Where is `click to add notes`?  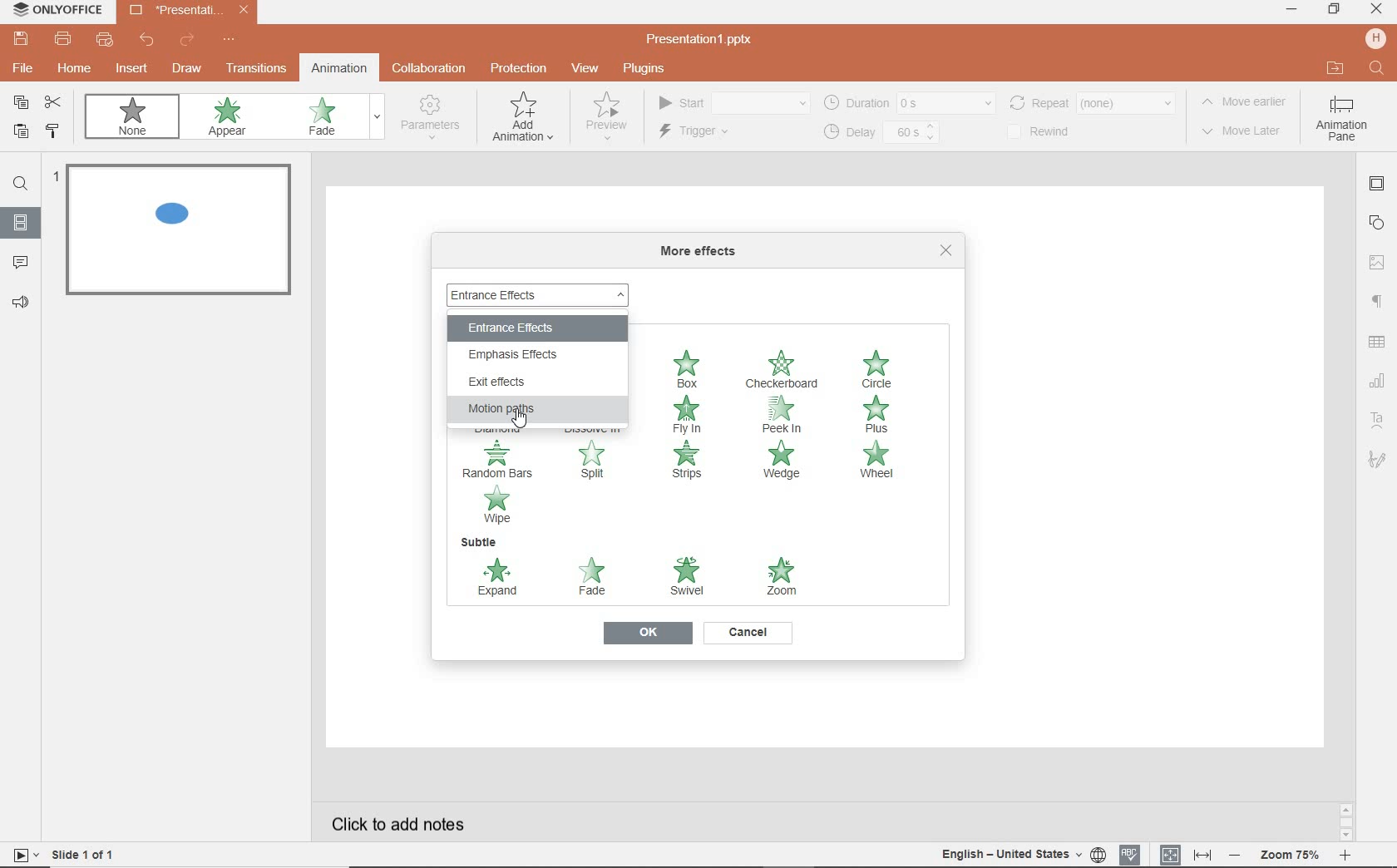
click to add notes is located at coordinates (402, 819).